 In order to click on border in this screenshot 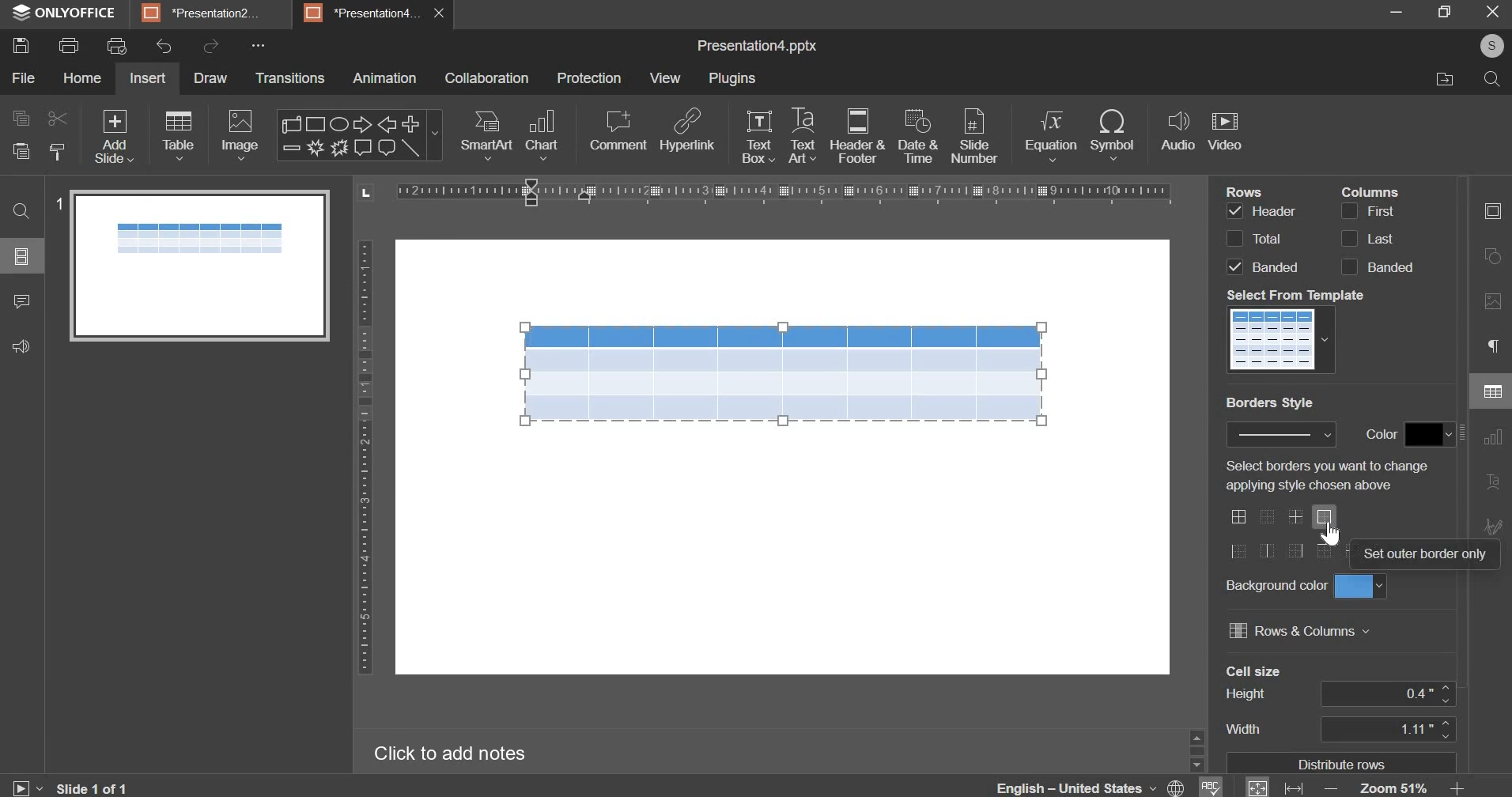, I will do `click(1238, 515)`.